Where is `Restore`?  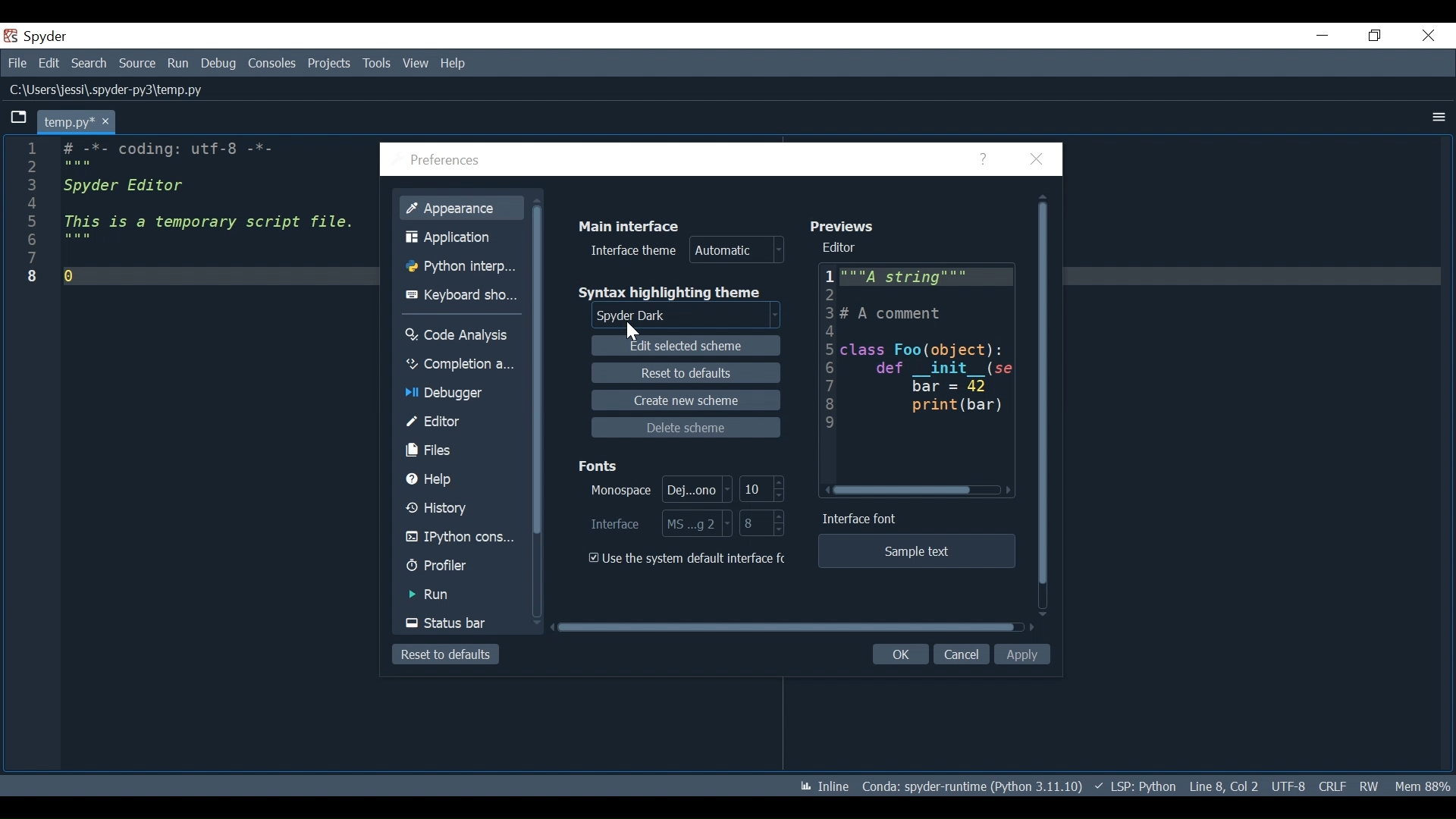 Restore is located at coordinates (1375, 36).